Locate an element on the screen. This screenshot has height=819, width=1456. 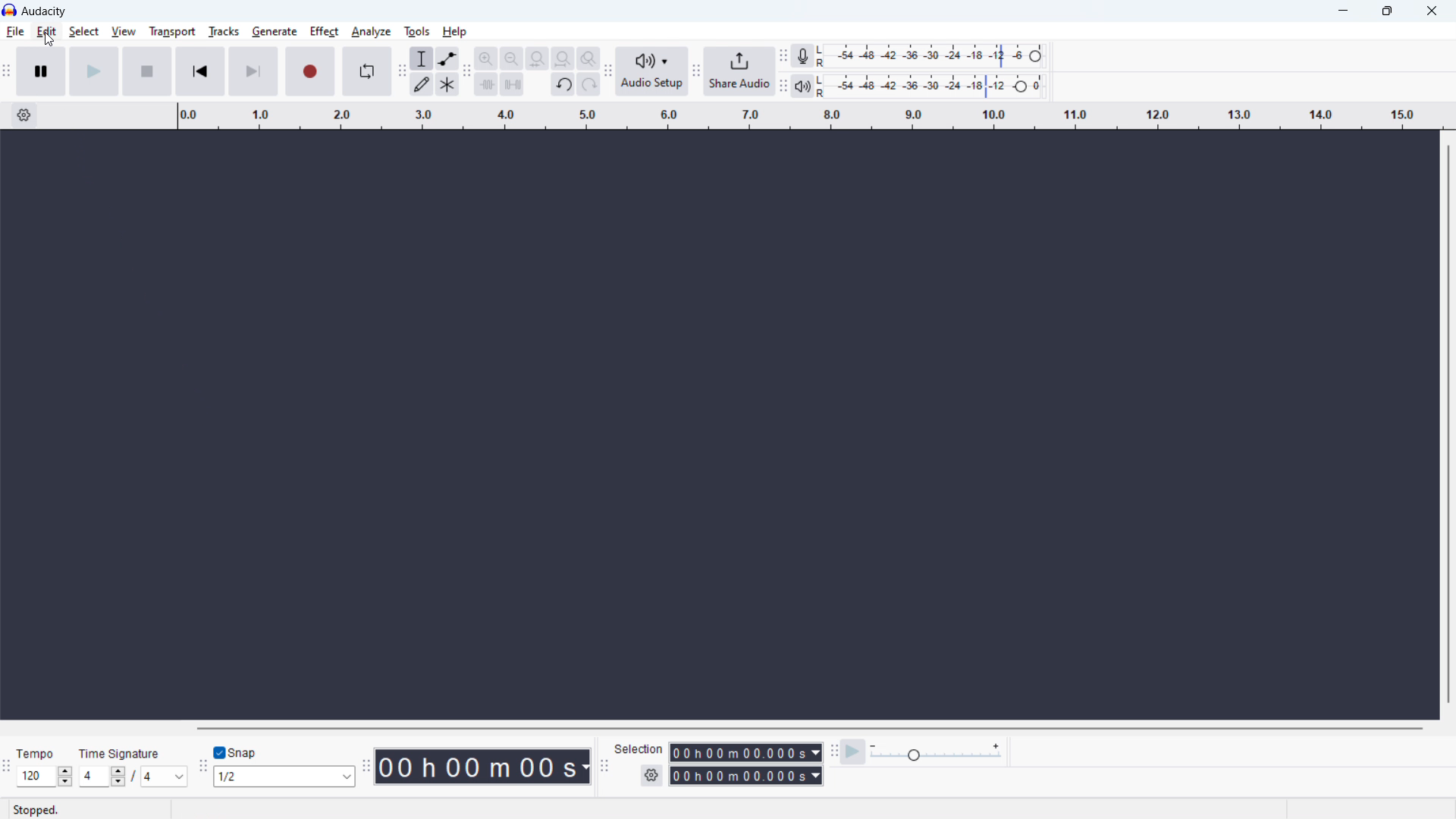
generate is located at coordinates (275, 31).